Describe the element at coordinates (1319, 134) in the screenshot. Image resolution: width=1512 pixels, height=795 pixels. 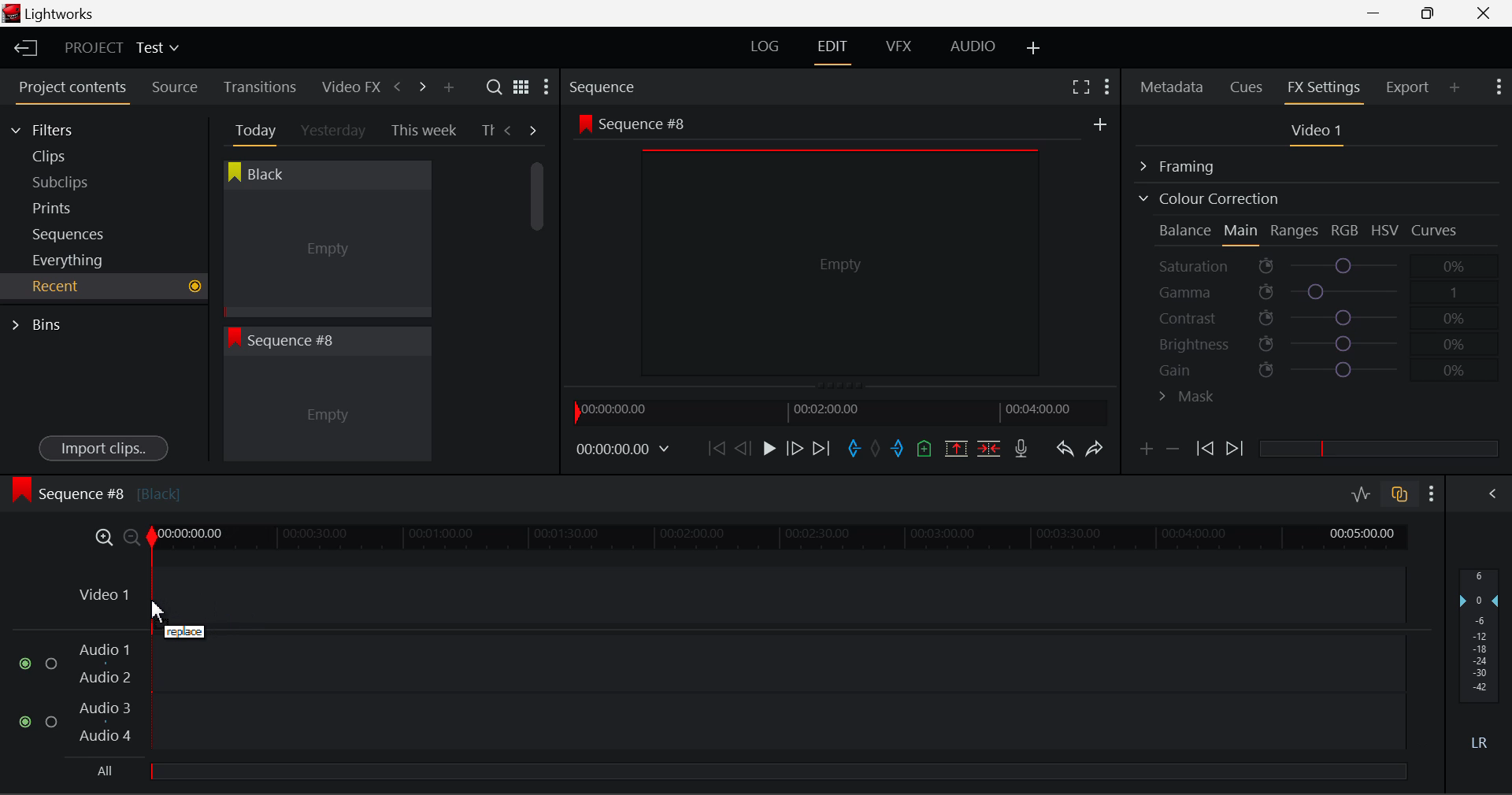
I see `Video 1 Settings` at that location.